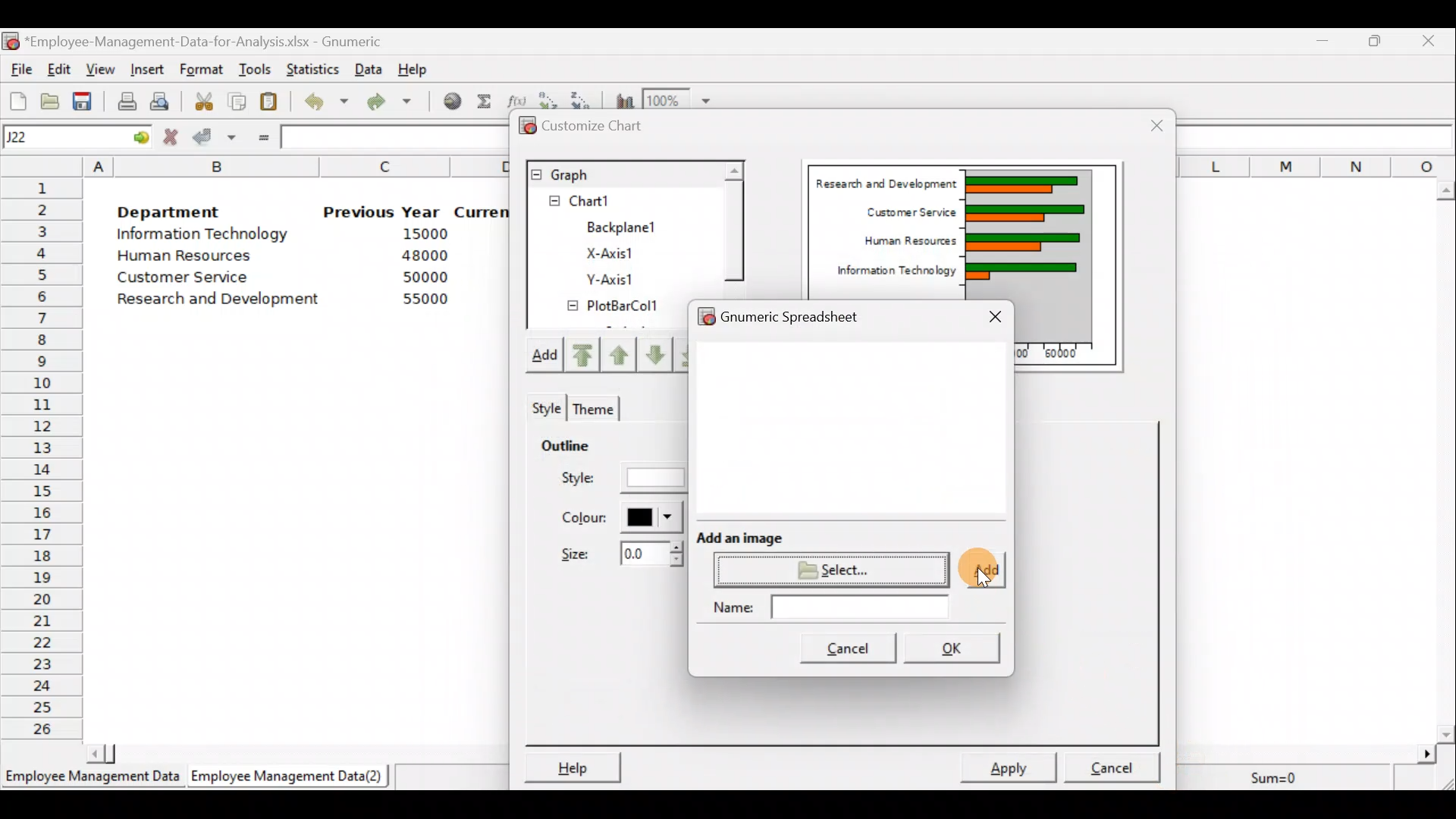 Image resolution: width=1456 pixels, height=819 pixels. I want to click on Rows, so click(42, 460).